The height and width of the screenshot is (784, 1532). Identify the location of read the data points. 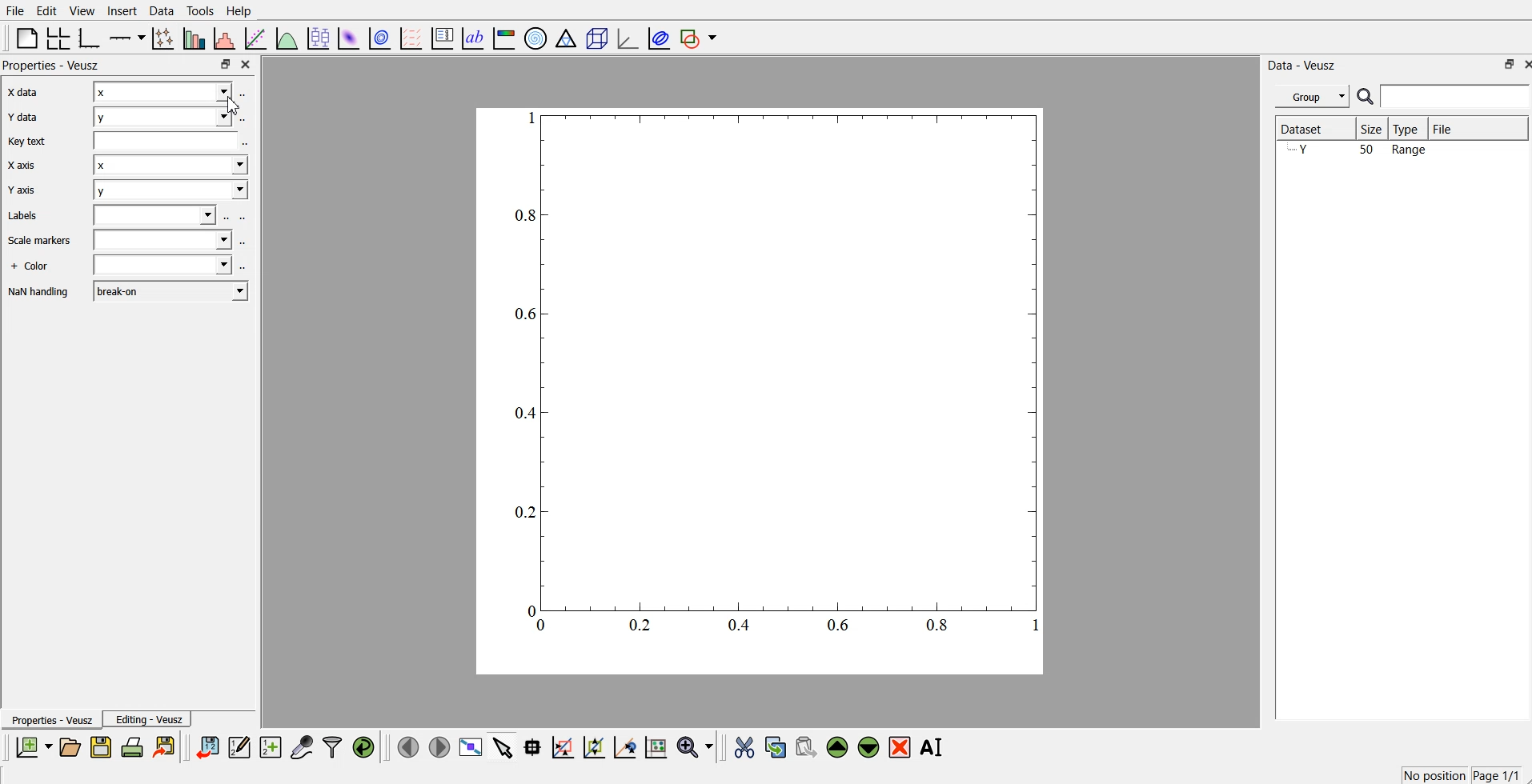
(535, 749).